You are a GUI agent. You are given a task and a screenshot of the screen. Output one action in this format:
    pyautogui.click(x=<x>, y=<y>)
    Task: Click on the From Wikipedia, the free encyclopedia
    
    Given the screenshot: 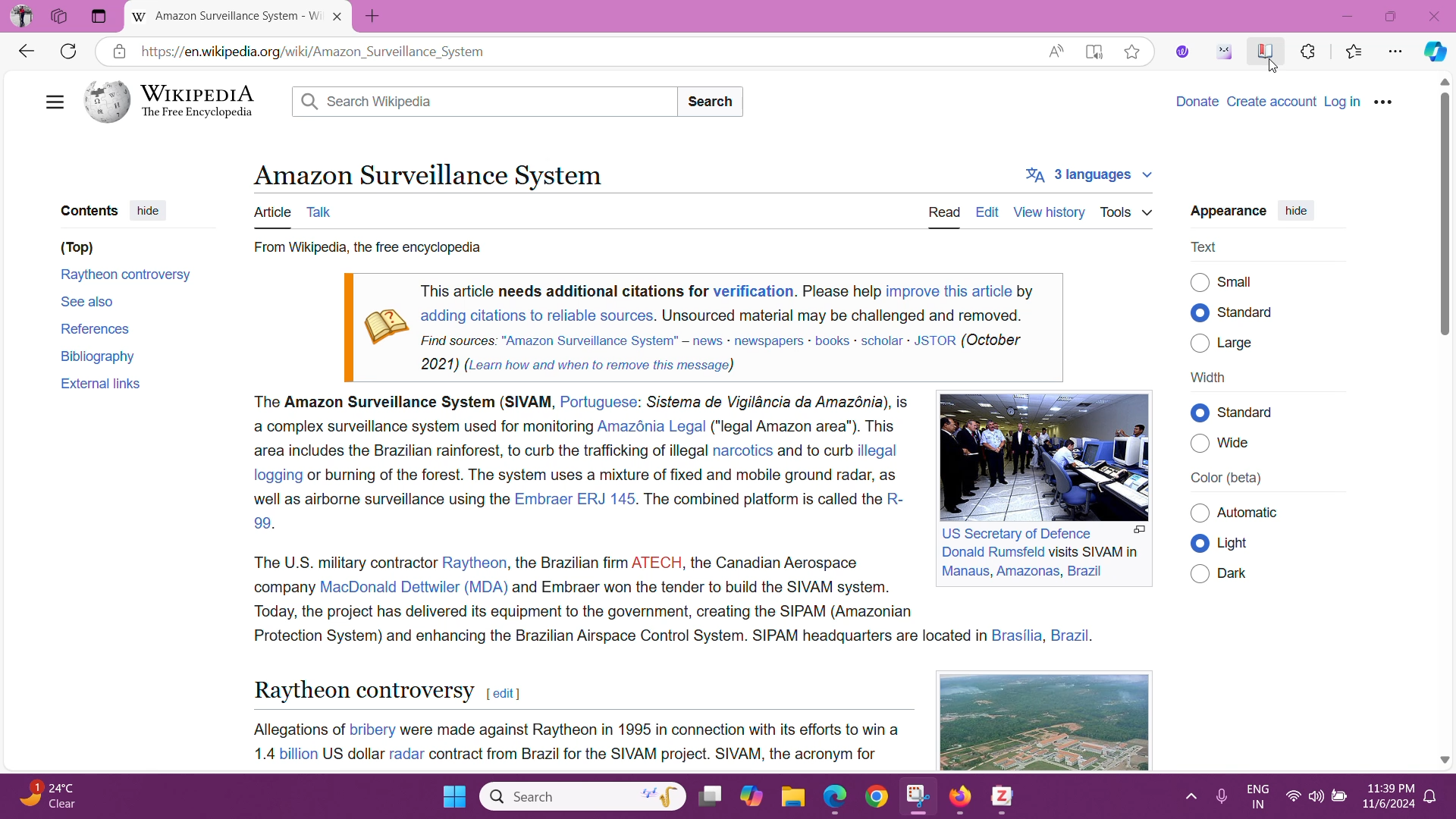 What is the action you would take?
    pyautogui.click(x=366, y=249)
    